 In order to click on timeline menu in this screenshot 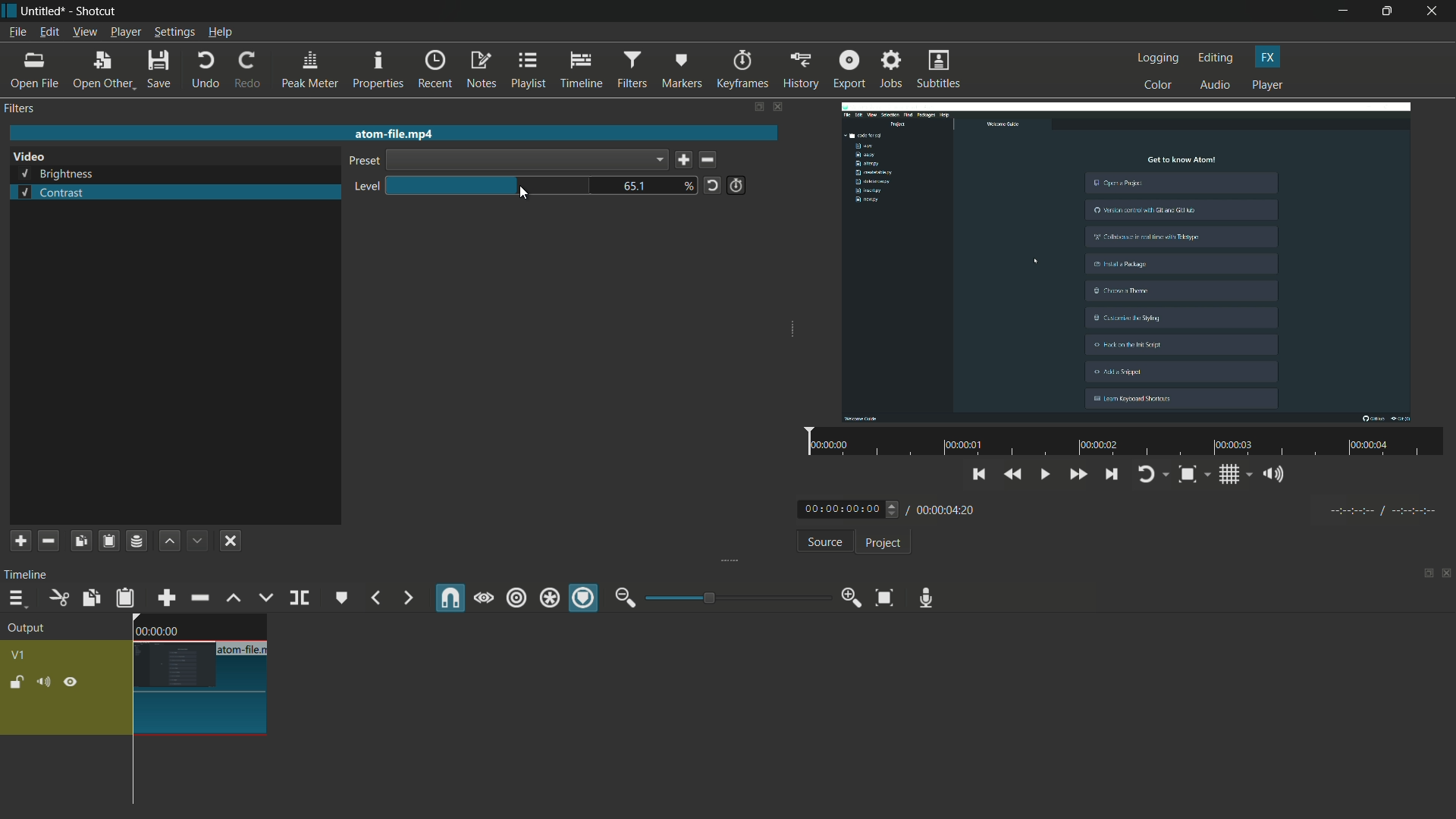, I will do `click(17, 600)`.